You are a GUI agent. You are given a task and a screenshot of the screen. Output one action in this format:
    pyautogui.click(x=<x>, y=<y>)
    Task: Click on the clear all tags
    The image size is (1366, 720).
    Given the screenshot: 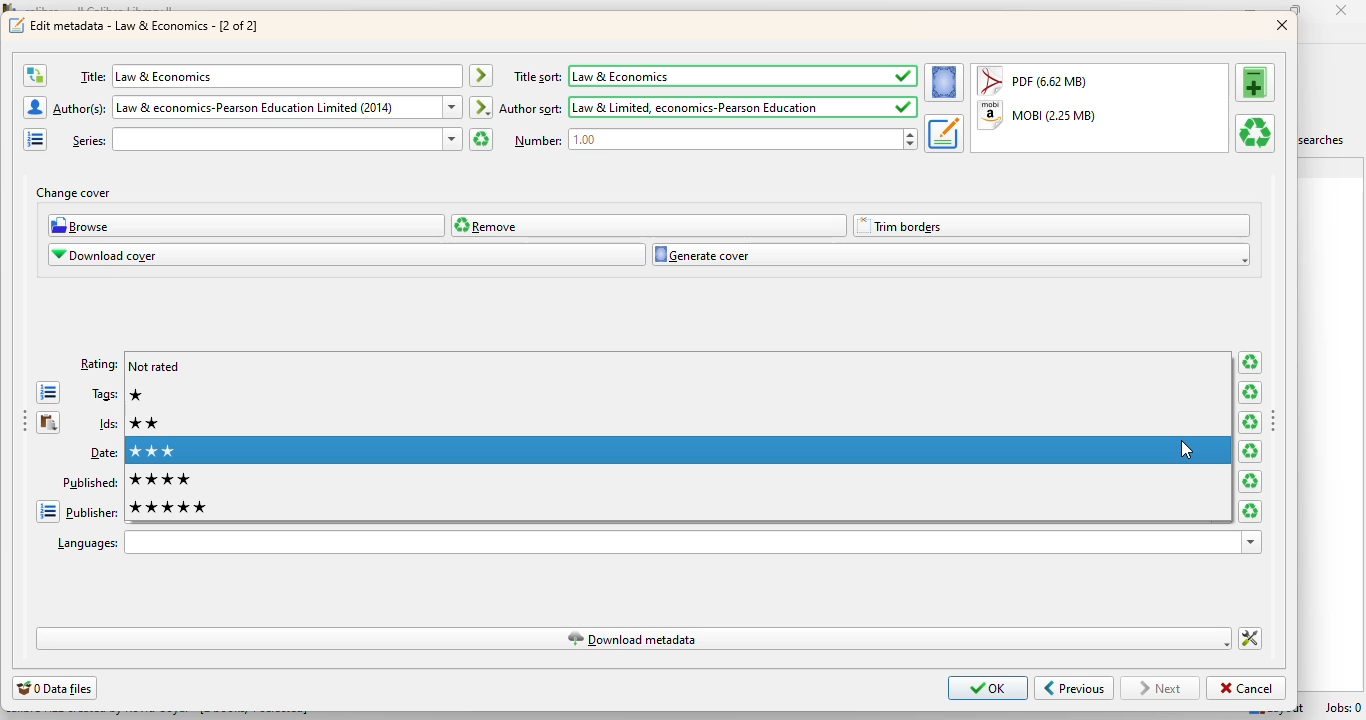 What is the action you would take?
    pyautogui.click(x=1249, y=392)
    